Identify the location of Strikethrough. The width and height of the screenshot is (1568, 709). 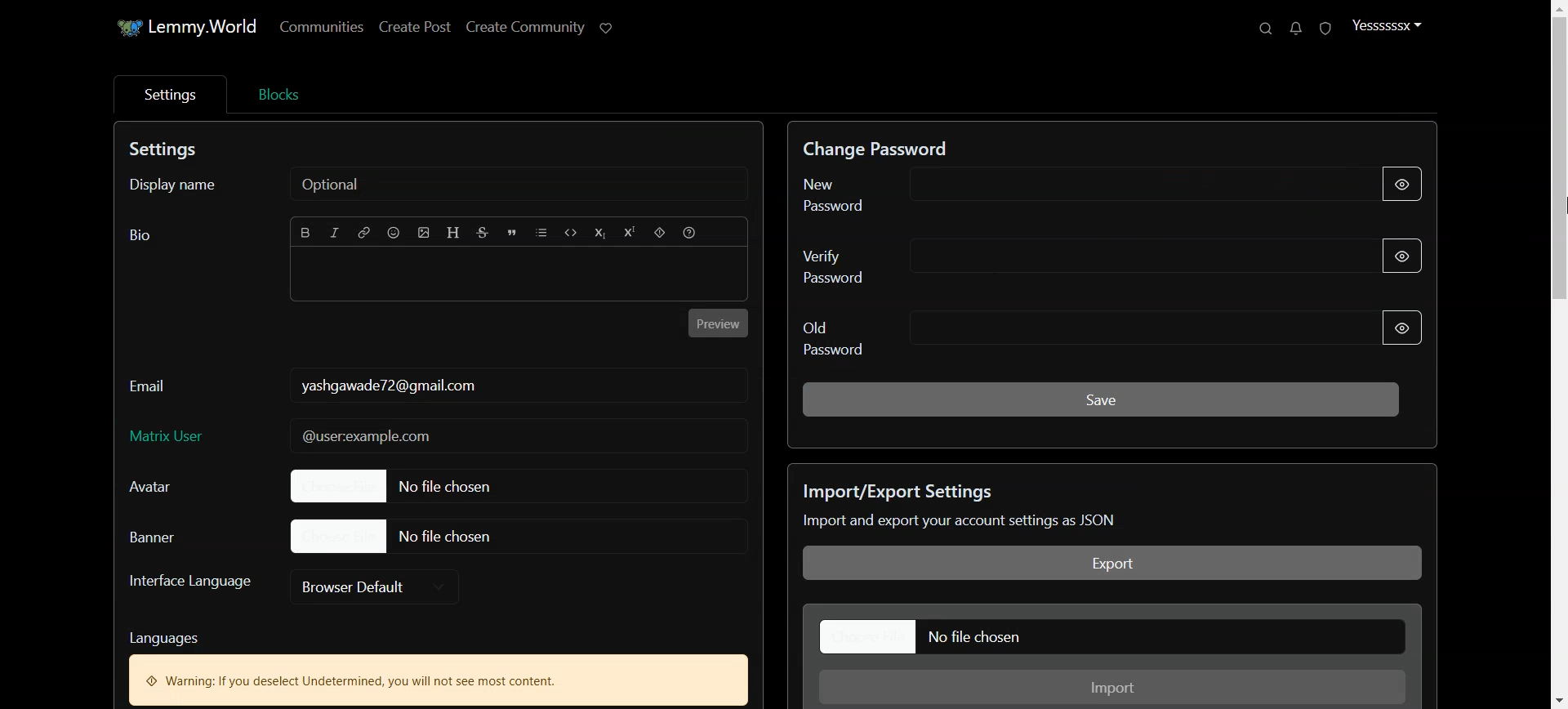
(483, 233).